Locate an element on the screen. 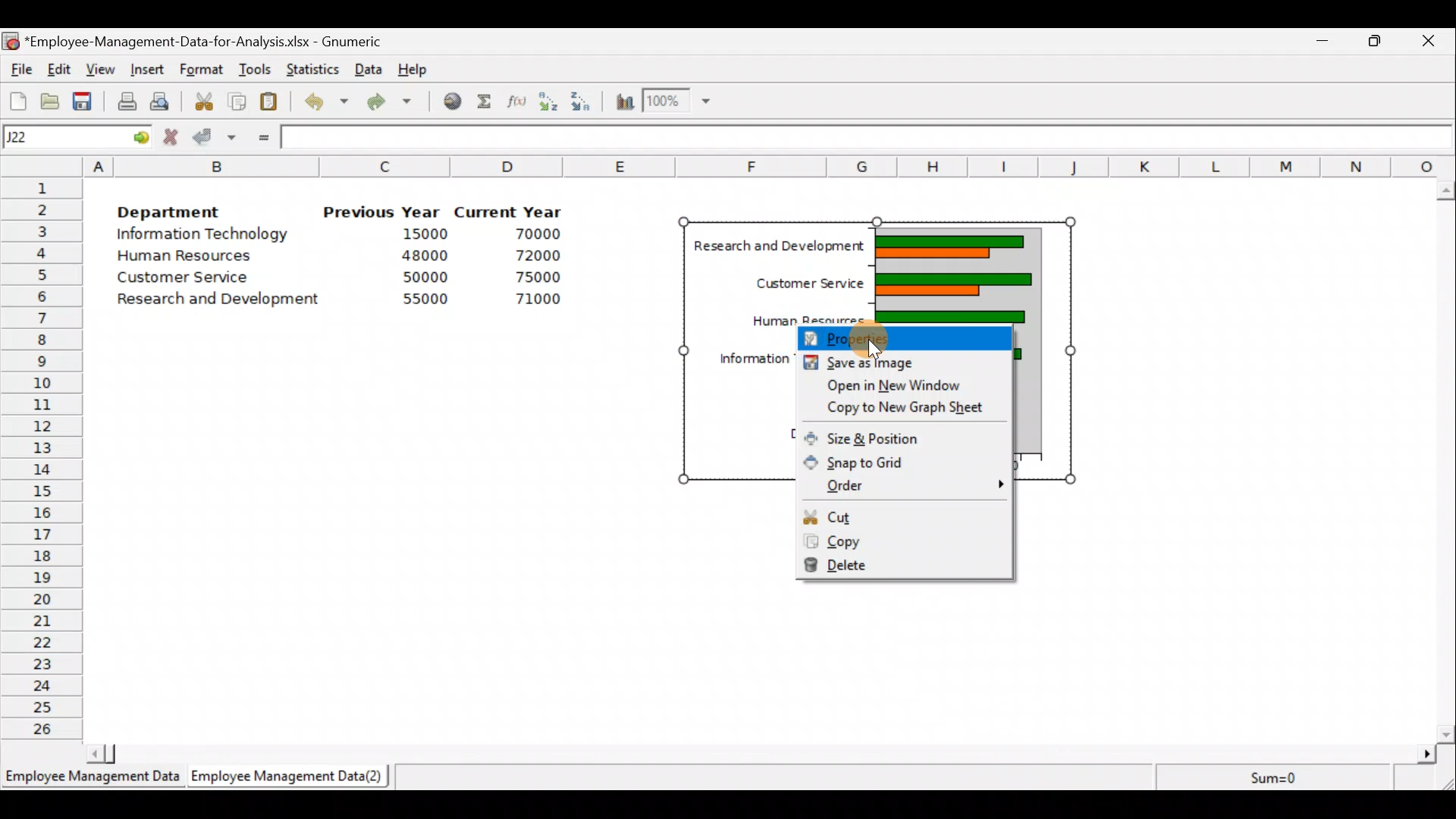 The image size is (1456, 819). 71000 is located at coordinates (535, 301).